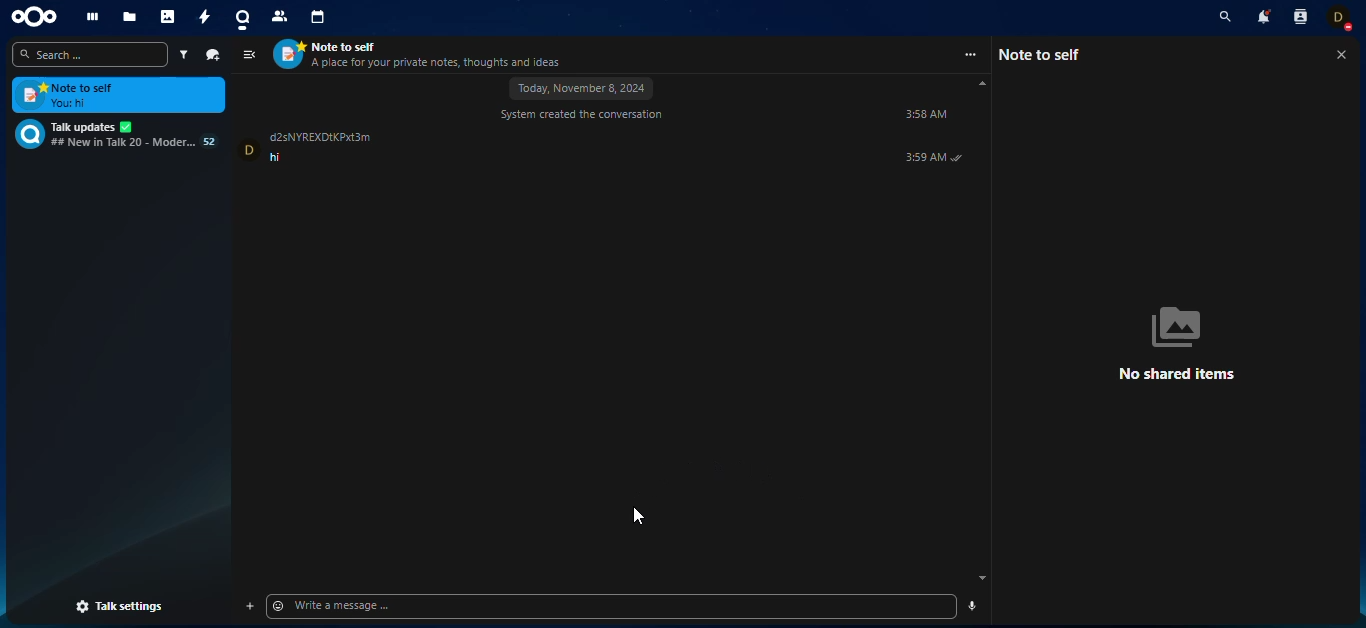 The image size is (1366, 628). Describe the element at coordinates (1186, 342) in the screenshot. I see `no shared items` at that location.